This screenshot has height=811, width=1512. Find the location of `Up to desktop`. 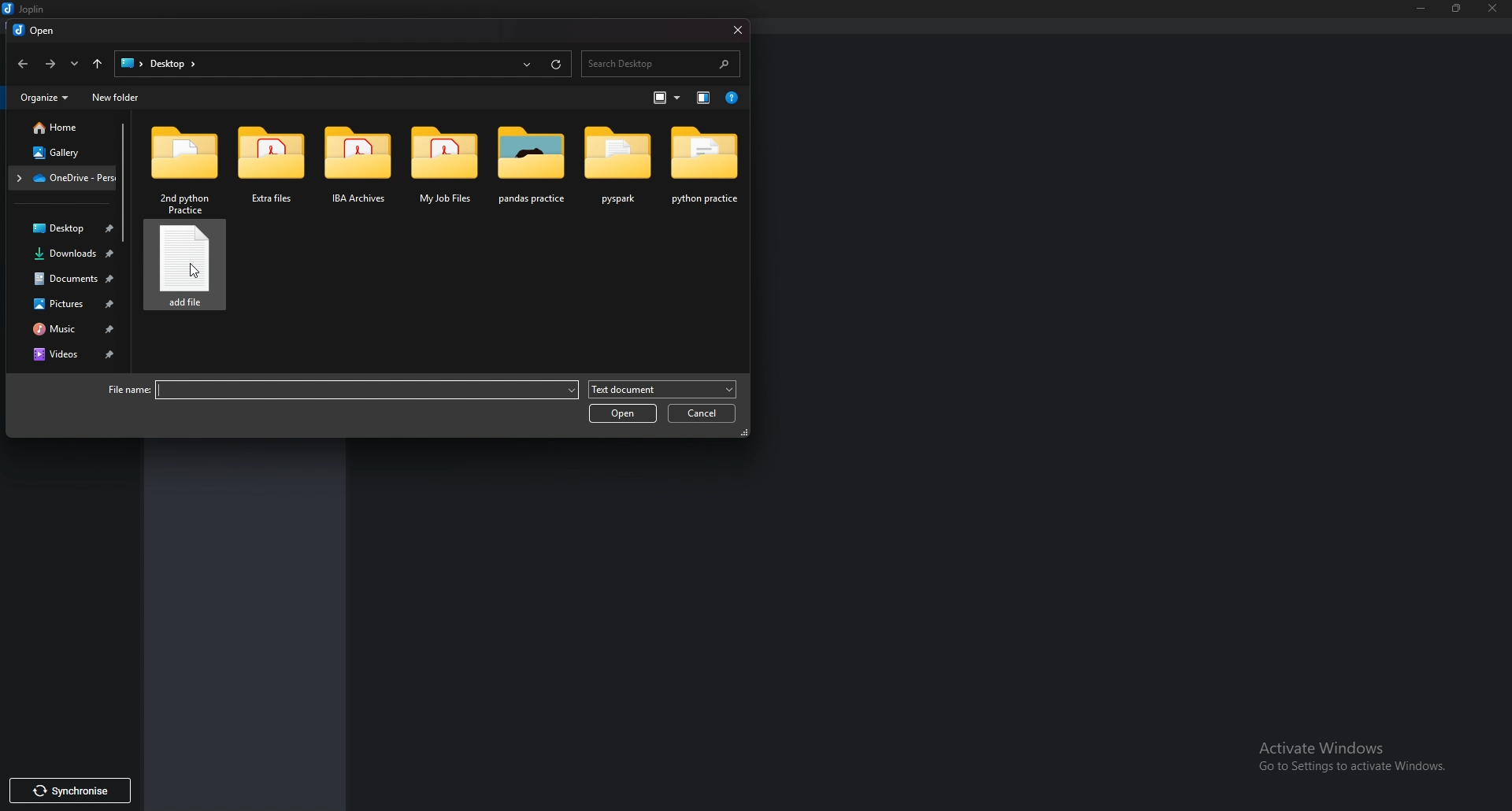

Up to desktop is located at coordinates (98, 63).